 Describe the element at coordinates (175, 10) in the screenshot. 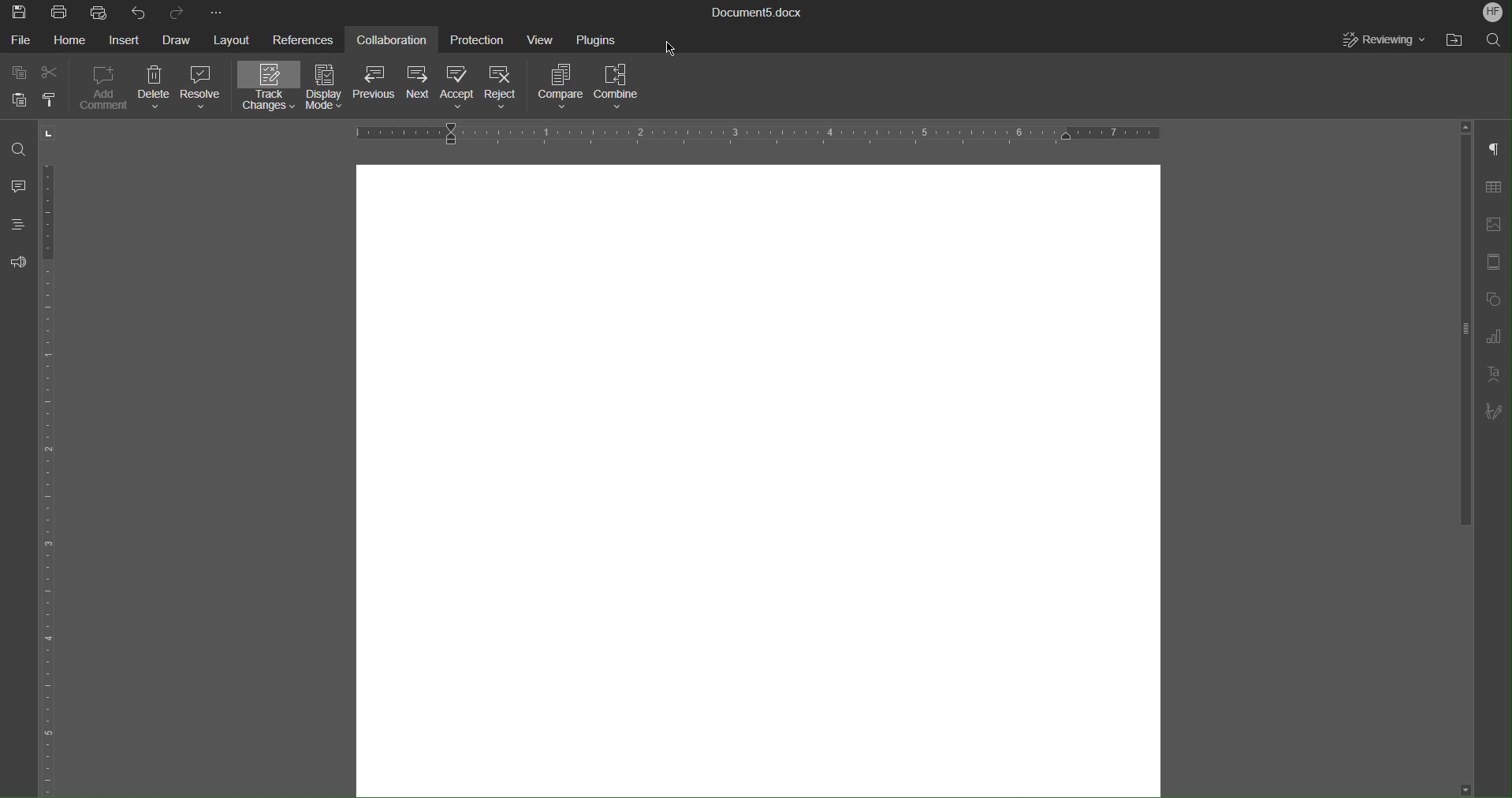

I see `Redo` at that location.